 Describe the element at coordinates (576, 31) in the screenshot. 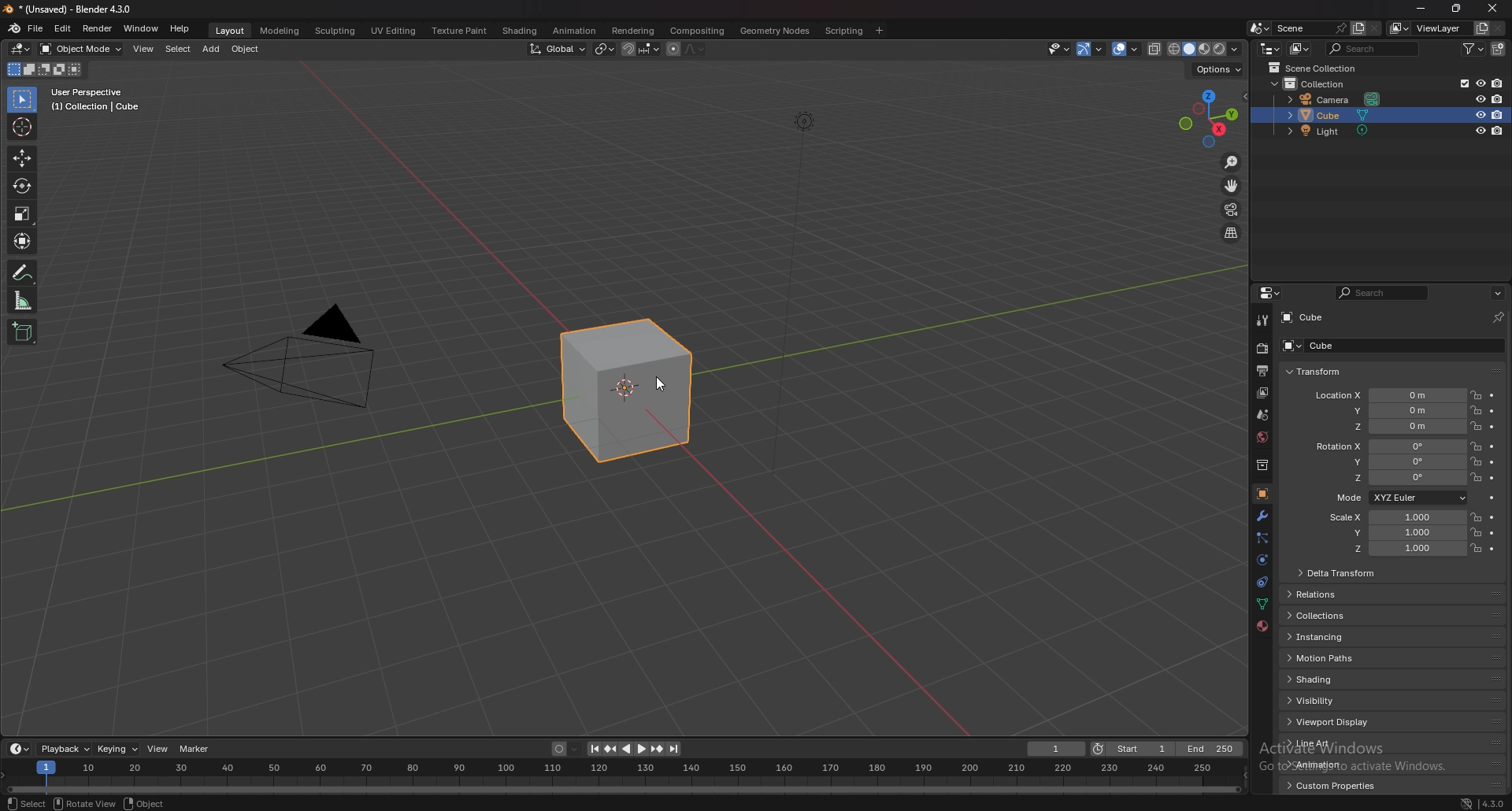

I see `animation` at that location.